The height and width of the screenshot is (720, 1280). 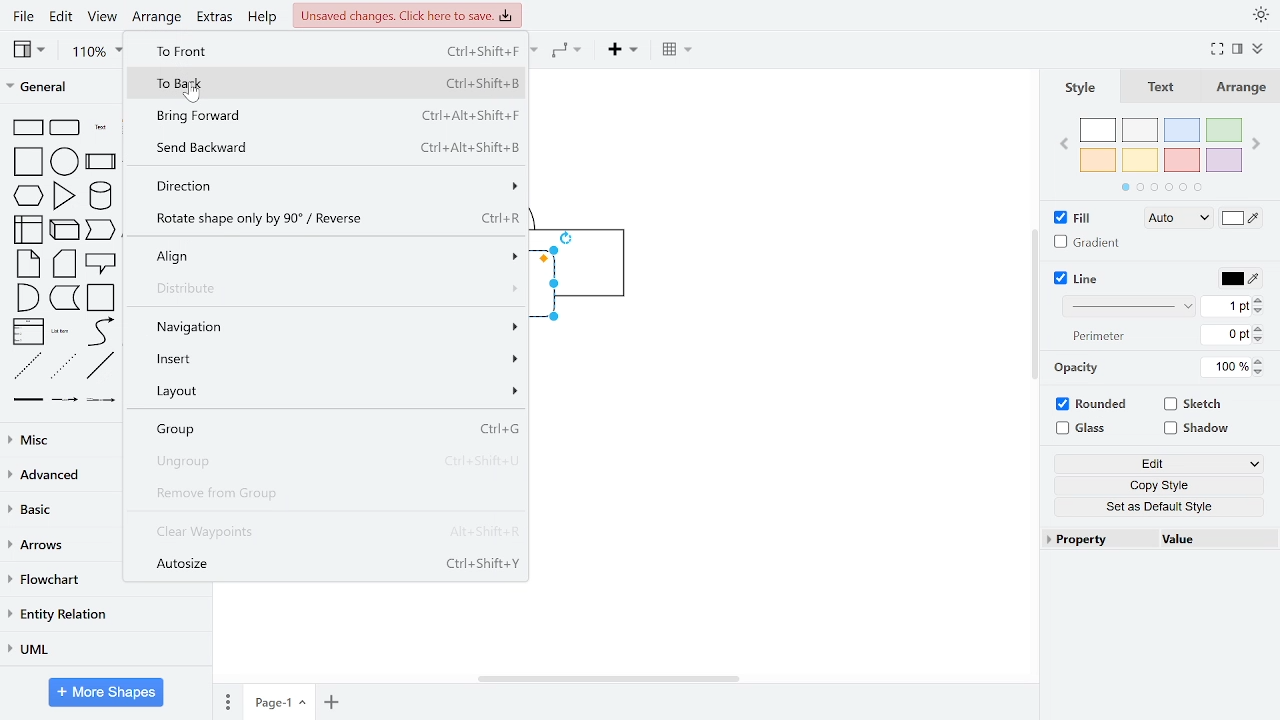 What do you see at coordinates (102, 17) in the screenshot?
I see `view` at bounding box center [102, 17].